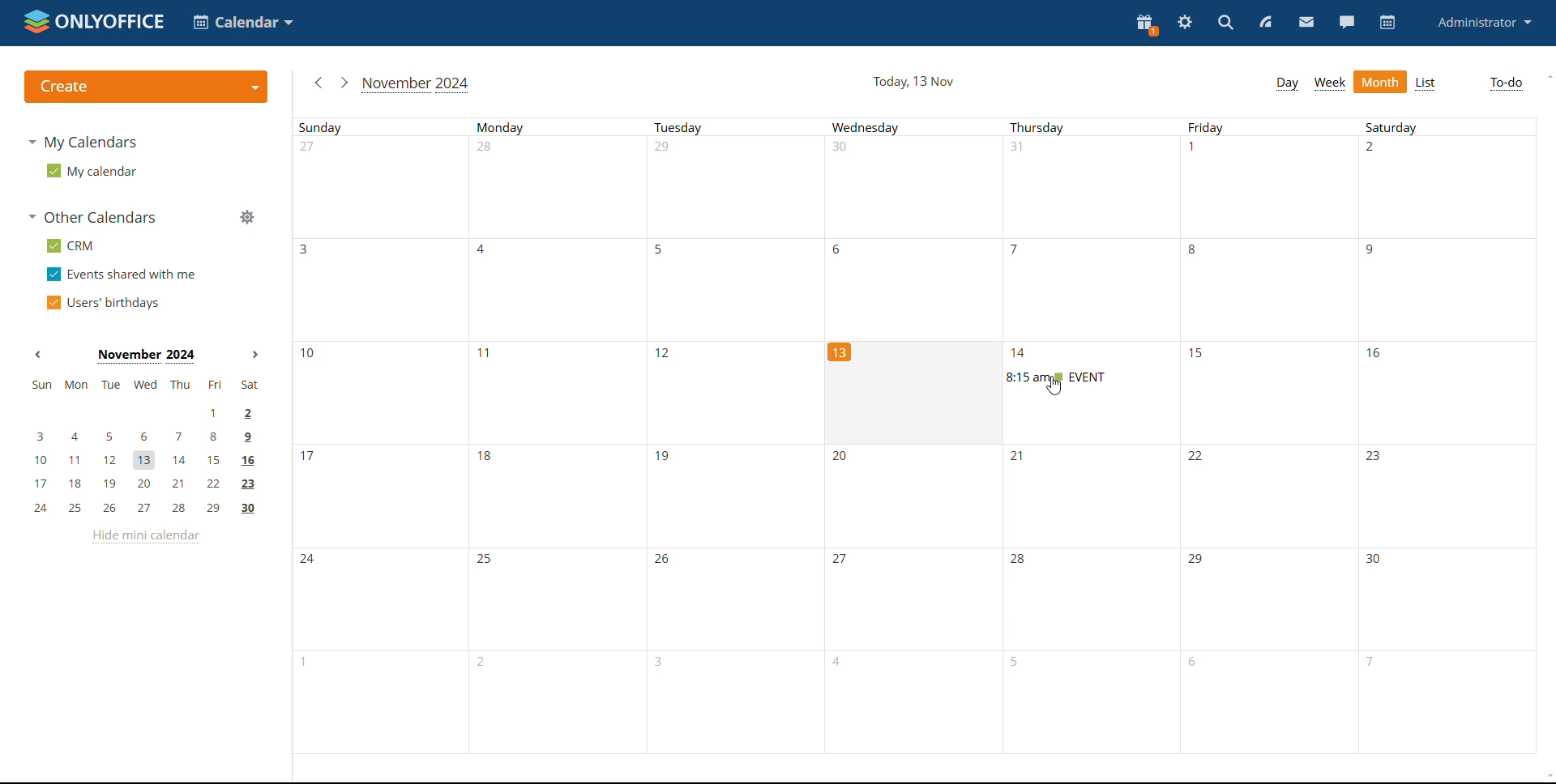 The height and width of the screenshot is (784, 1556). Describe the element at coordinates (38, 354) in the screenshot. I see `previous month` at that location.